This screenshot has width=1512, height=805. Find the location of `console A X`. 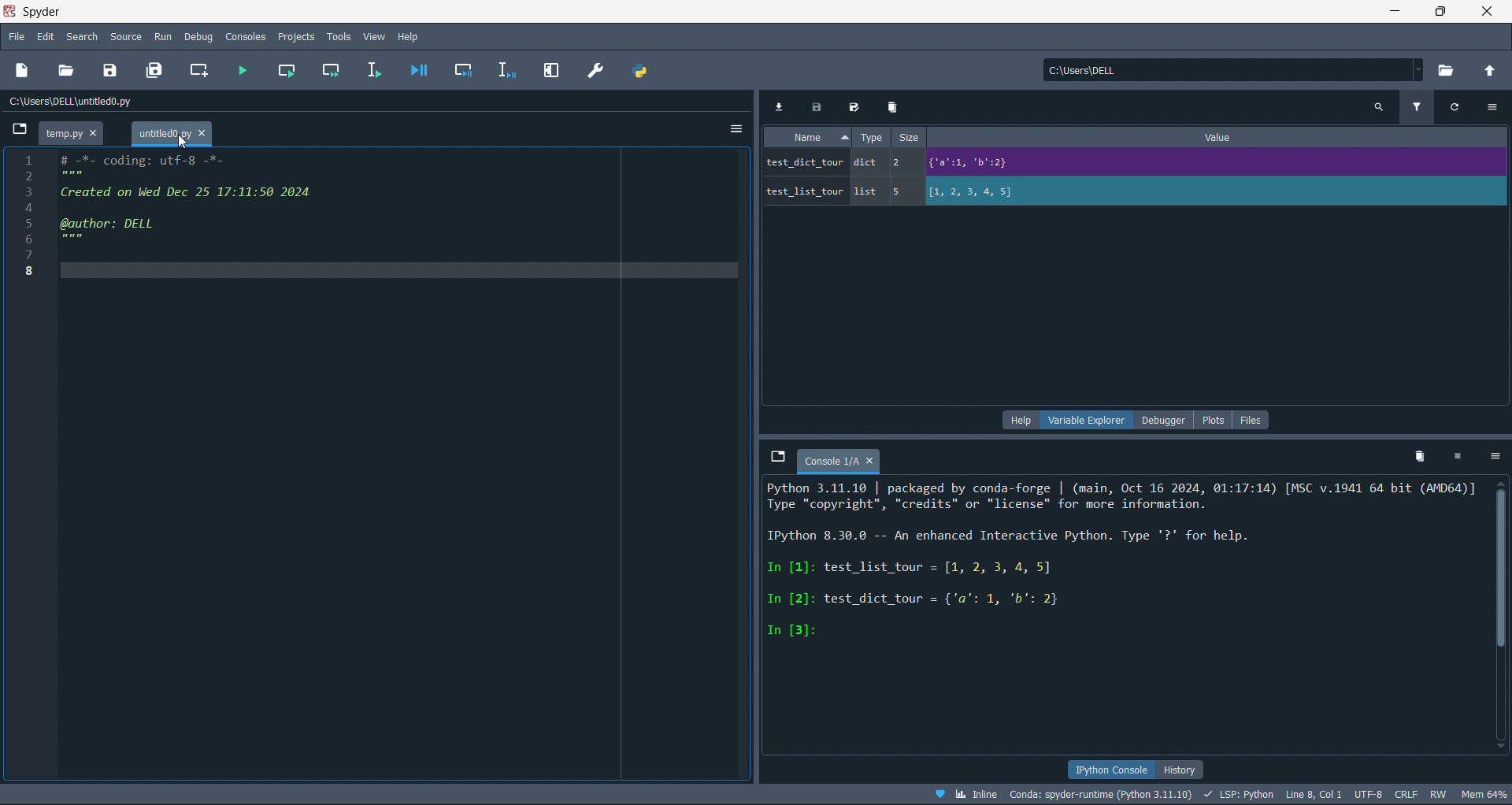

console A X is located at coordinates (848, 462).